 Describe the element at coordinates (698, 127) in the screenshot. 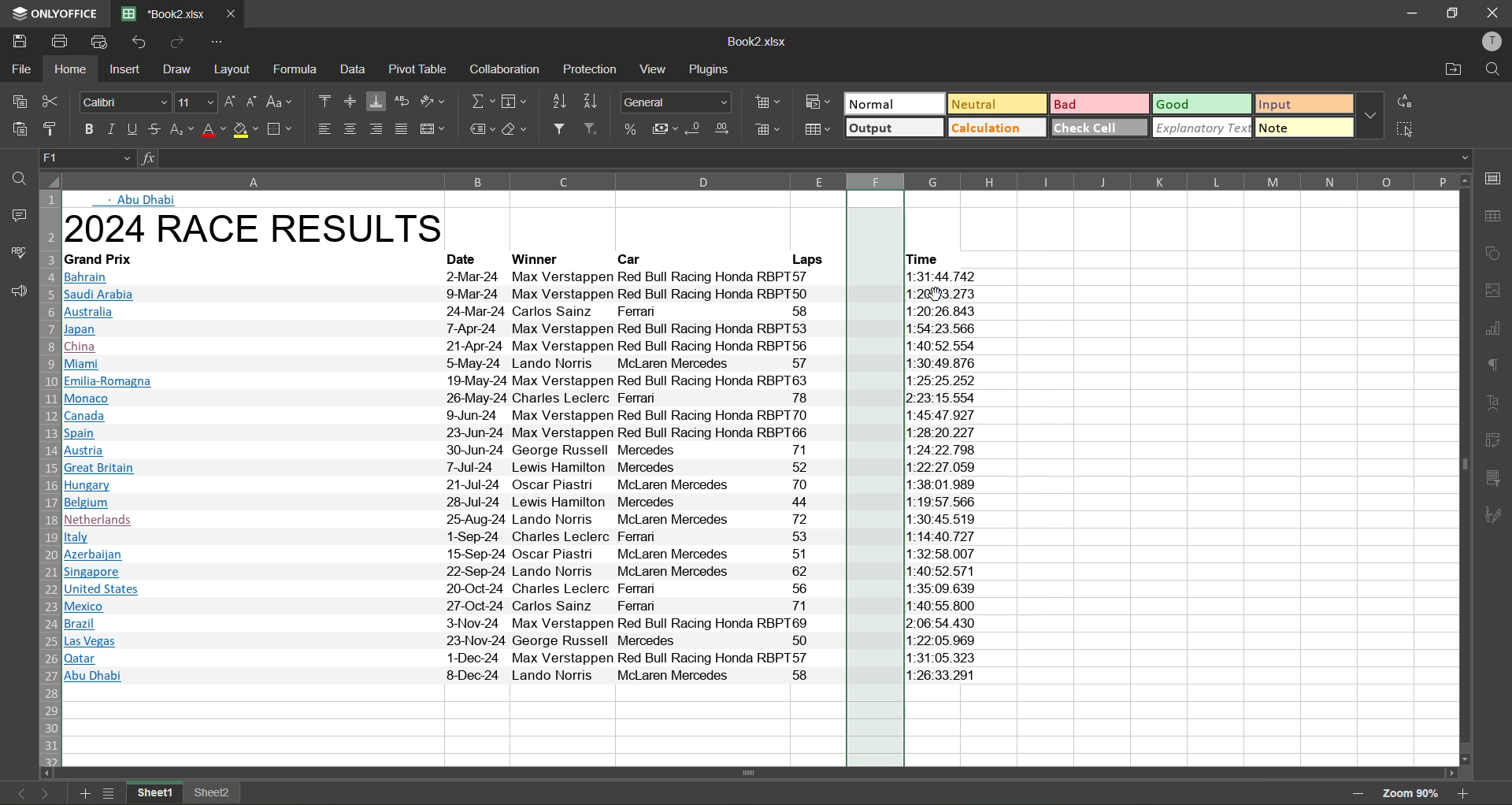

I see `decrease decimal` at that location.